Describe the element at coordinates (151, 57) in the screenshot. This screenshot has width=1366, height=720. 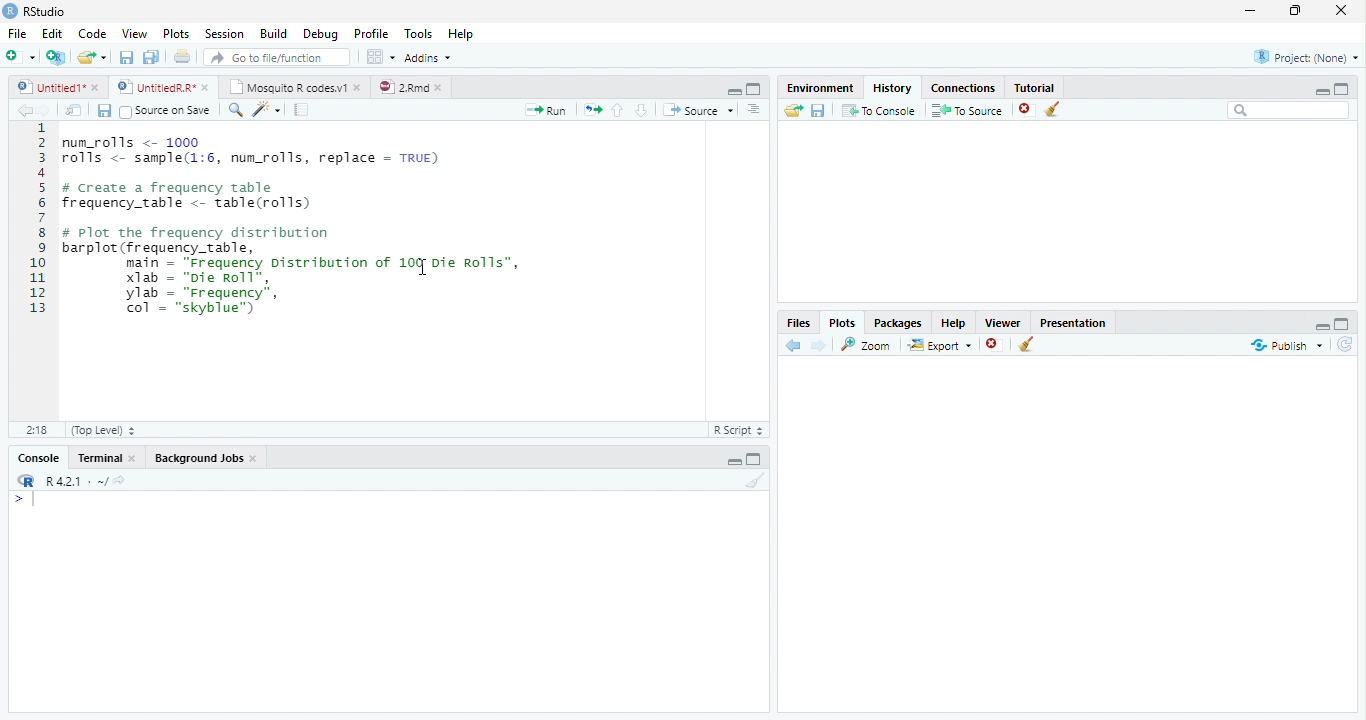
I see `Save all open files` at that location.